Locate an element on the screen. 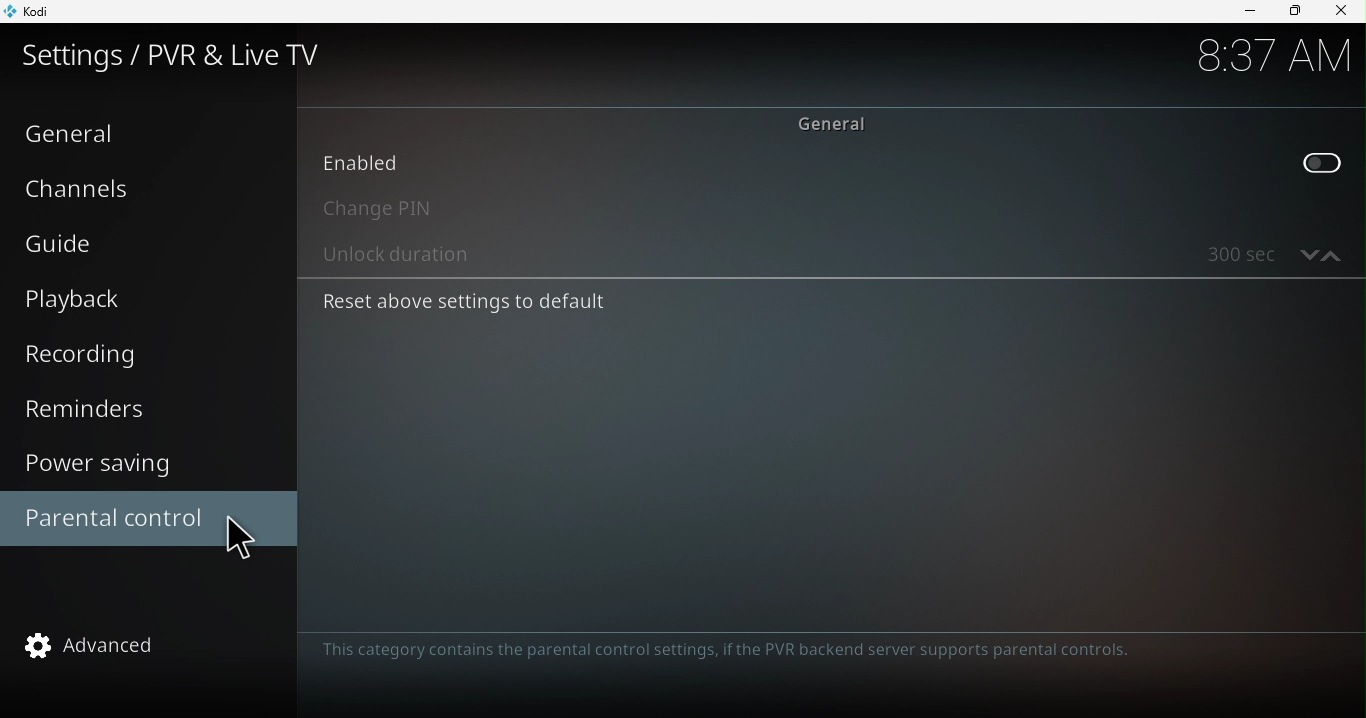  General is located at coordinates (77, 134).